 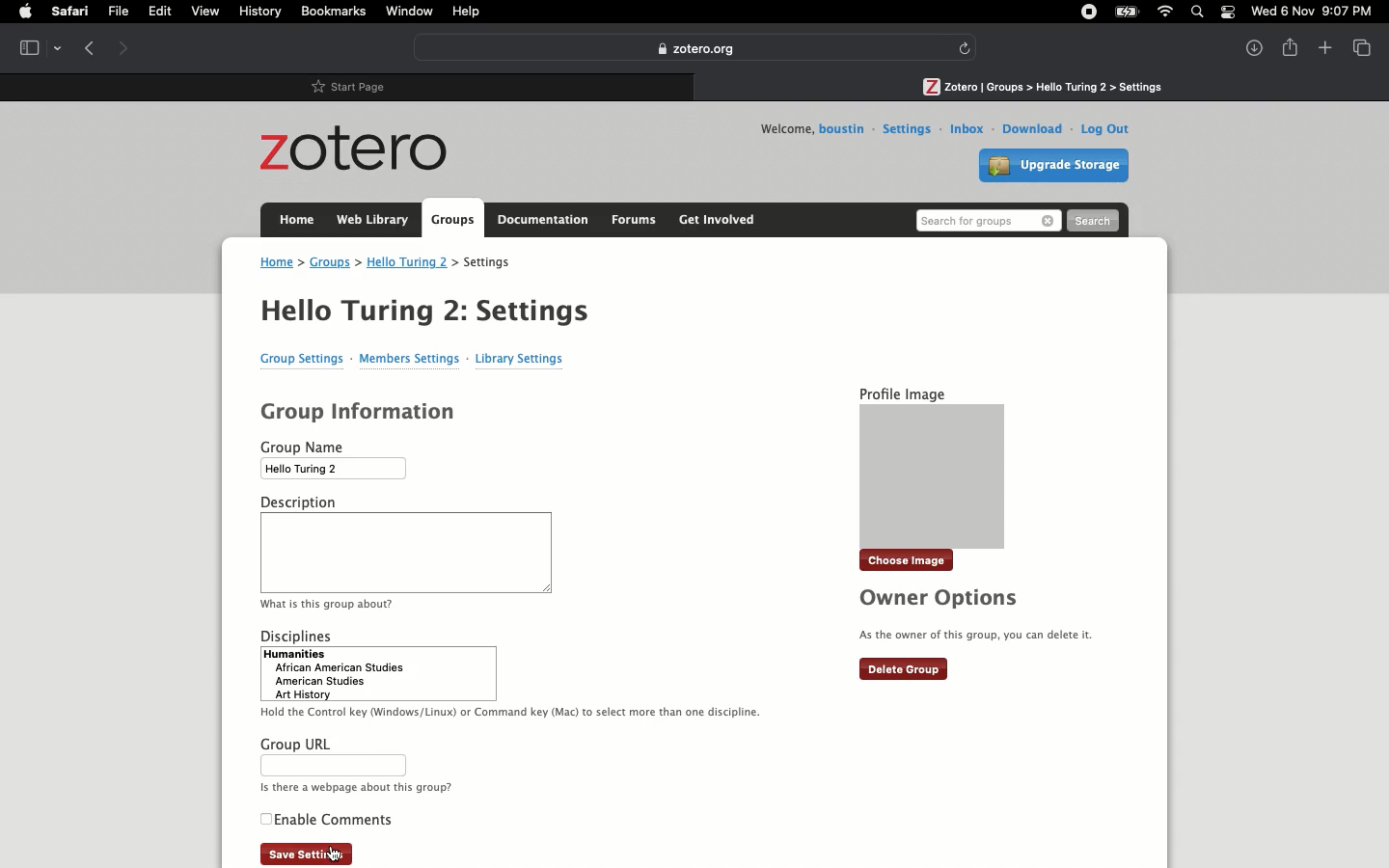 I want to click on Window, so click(x=409, y=11).